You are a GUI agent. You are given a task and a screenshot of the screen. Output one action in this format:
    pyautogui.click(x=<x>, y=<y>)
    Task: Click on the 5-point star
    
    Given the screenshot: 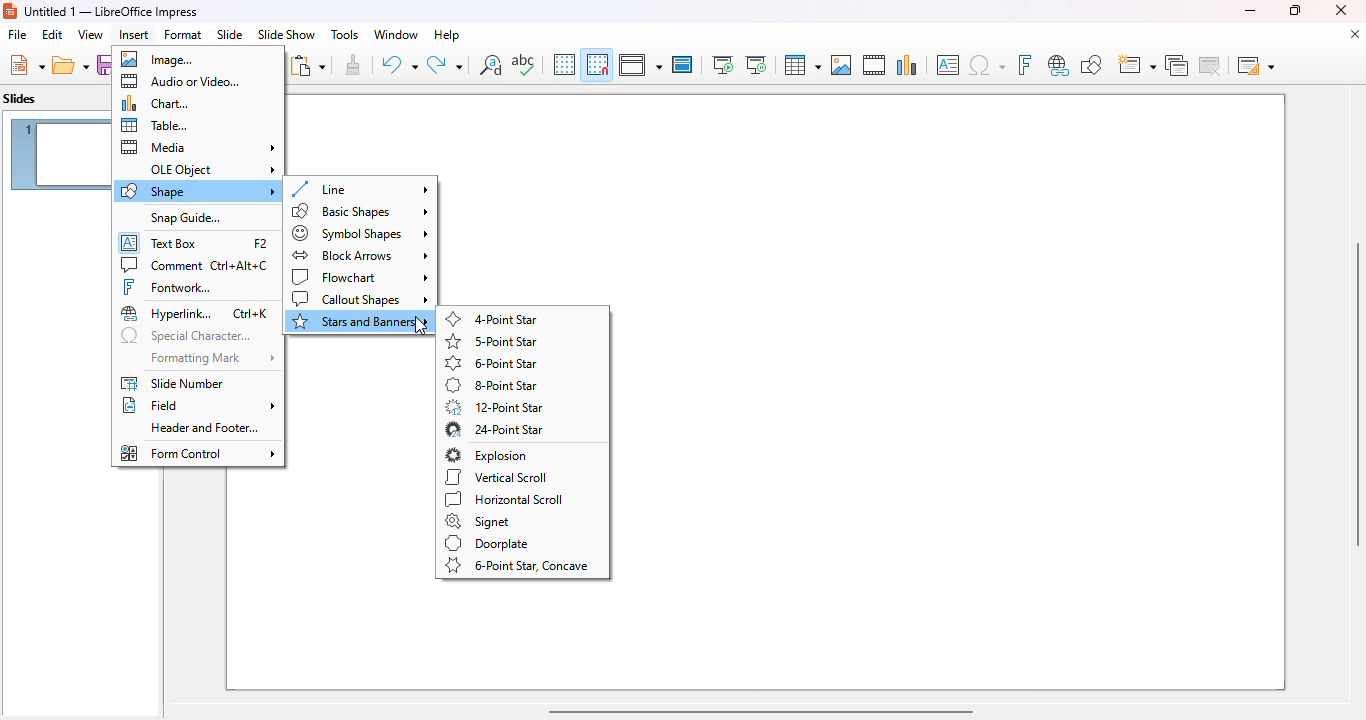 What is the action you would take?
    pyautogui.click(x=491, y=341)
    